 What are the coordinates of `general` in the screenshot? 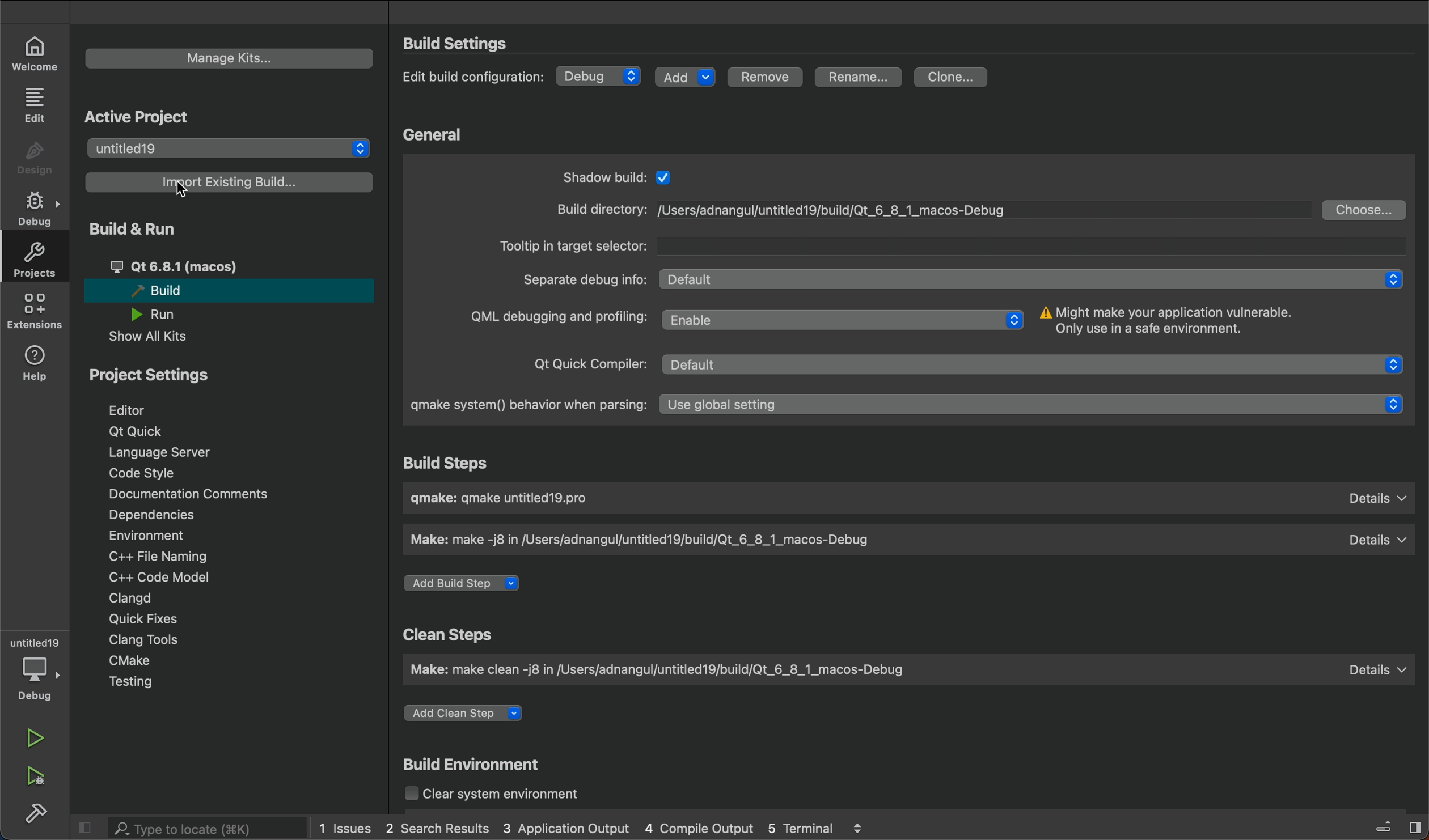 It's located at (438, 135).